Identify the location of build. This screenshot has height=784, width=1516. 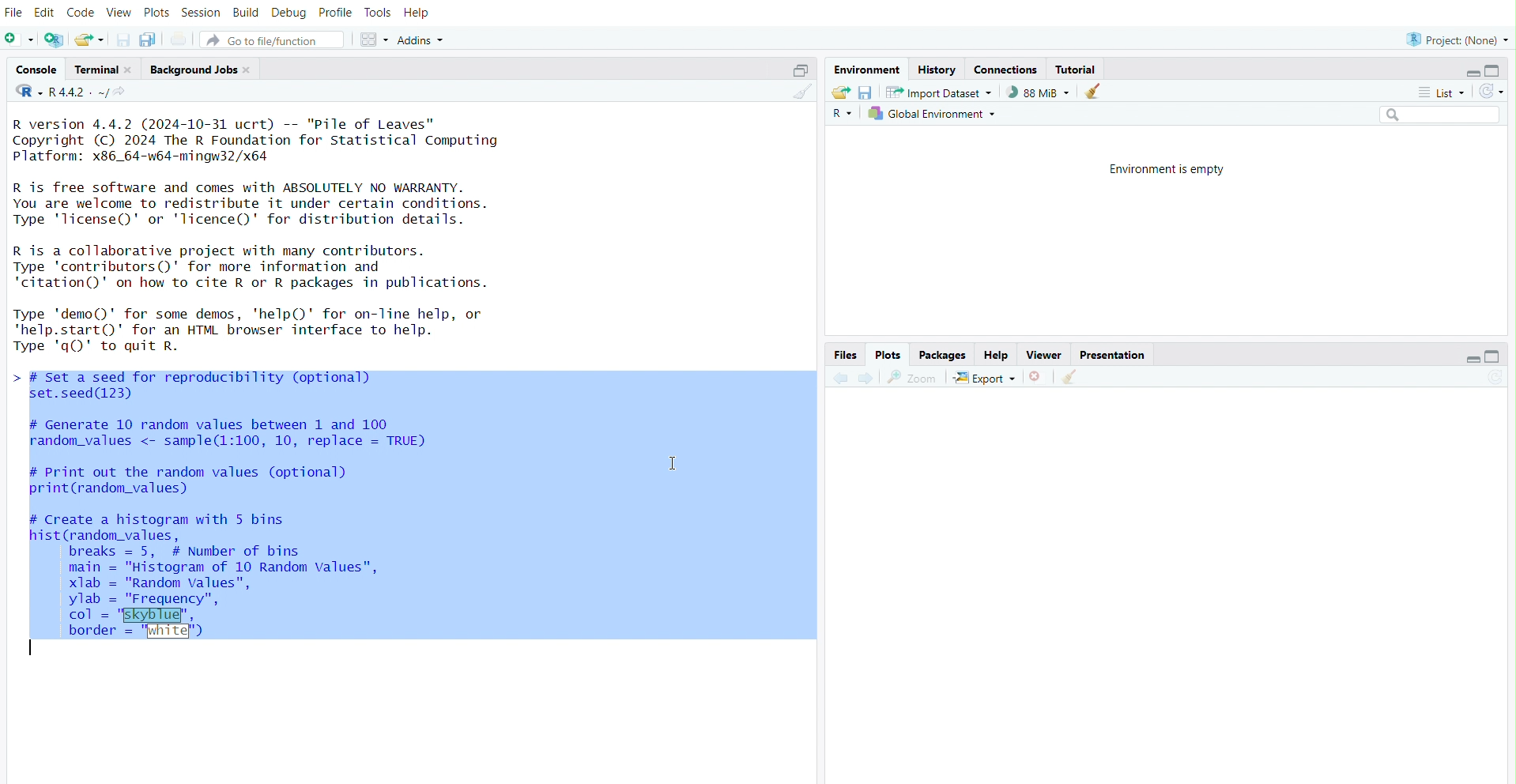
(248, 10).